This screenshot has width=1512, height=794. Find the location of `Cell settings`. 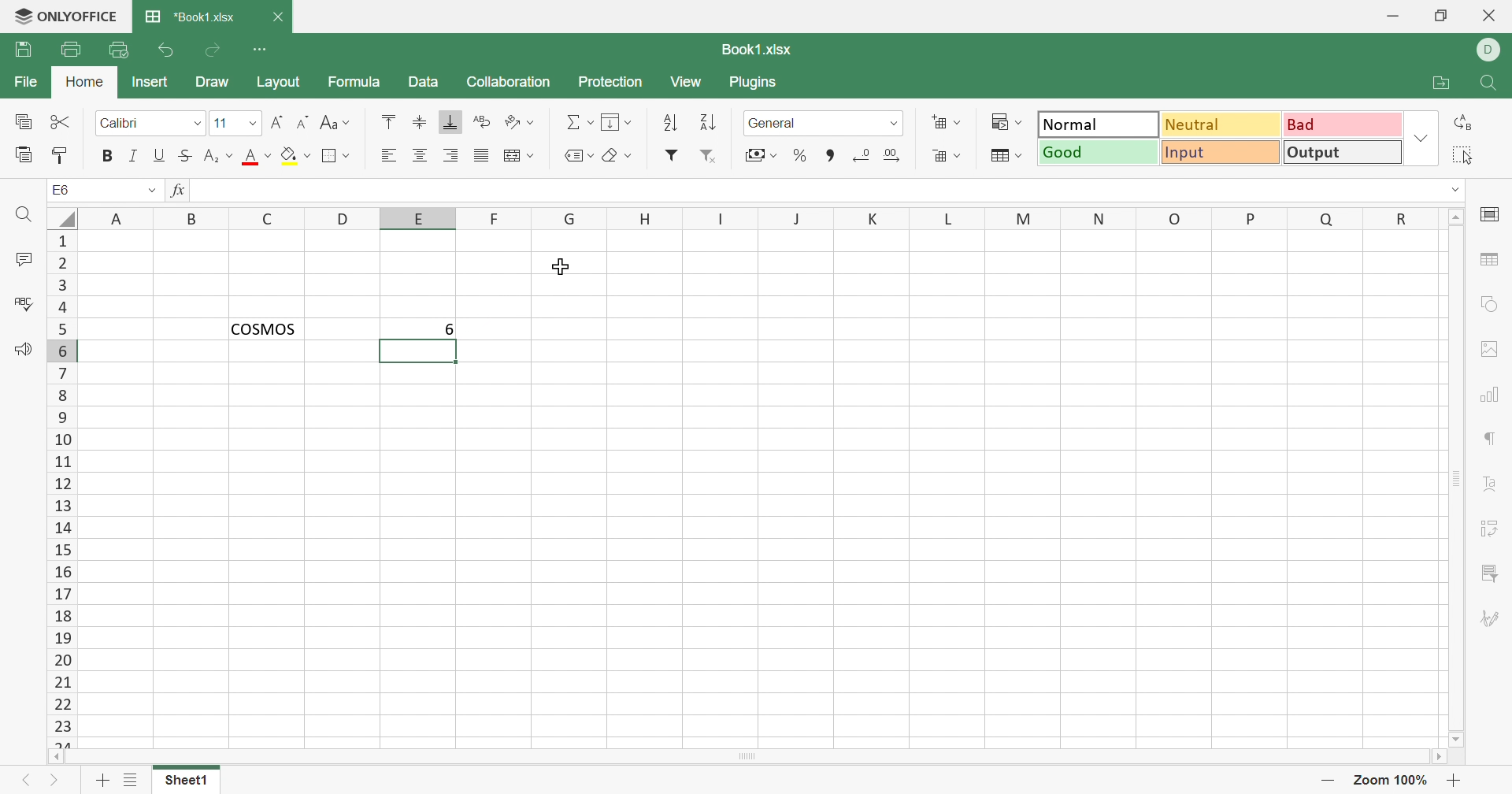

Cell settings is located at coordinates (1489, 216).